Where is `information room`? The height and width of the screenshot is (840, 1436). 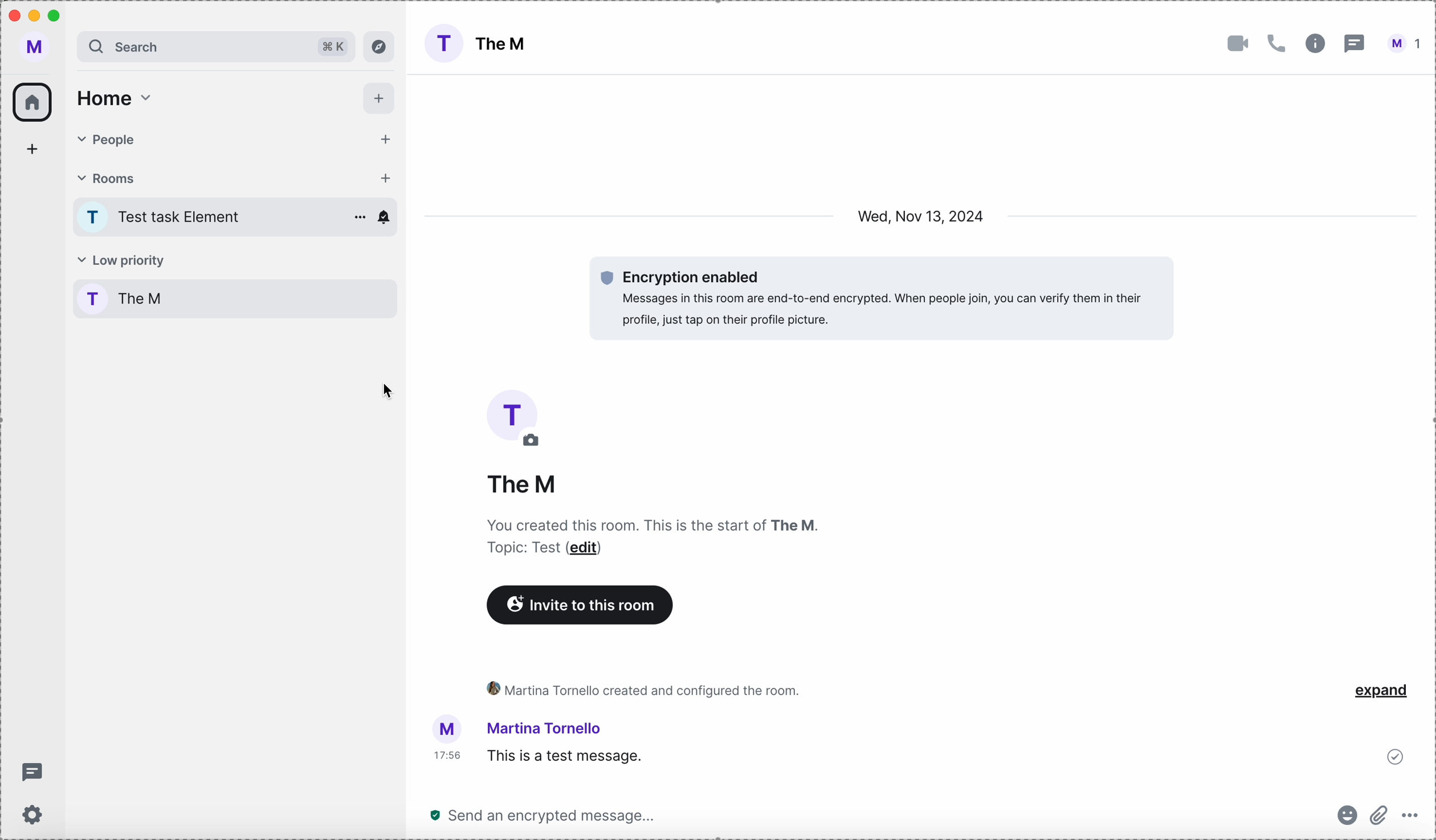
information room is located at coordinates (1316, 44).